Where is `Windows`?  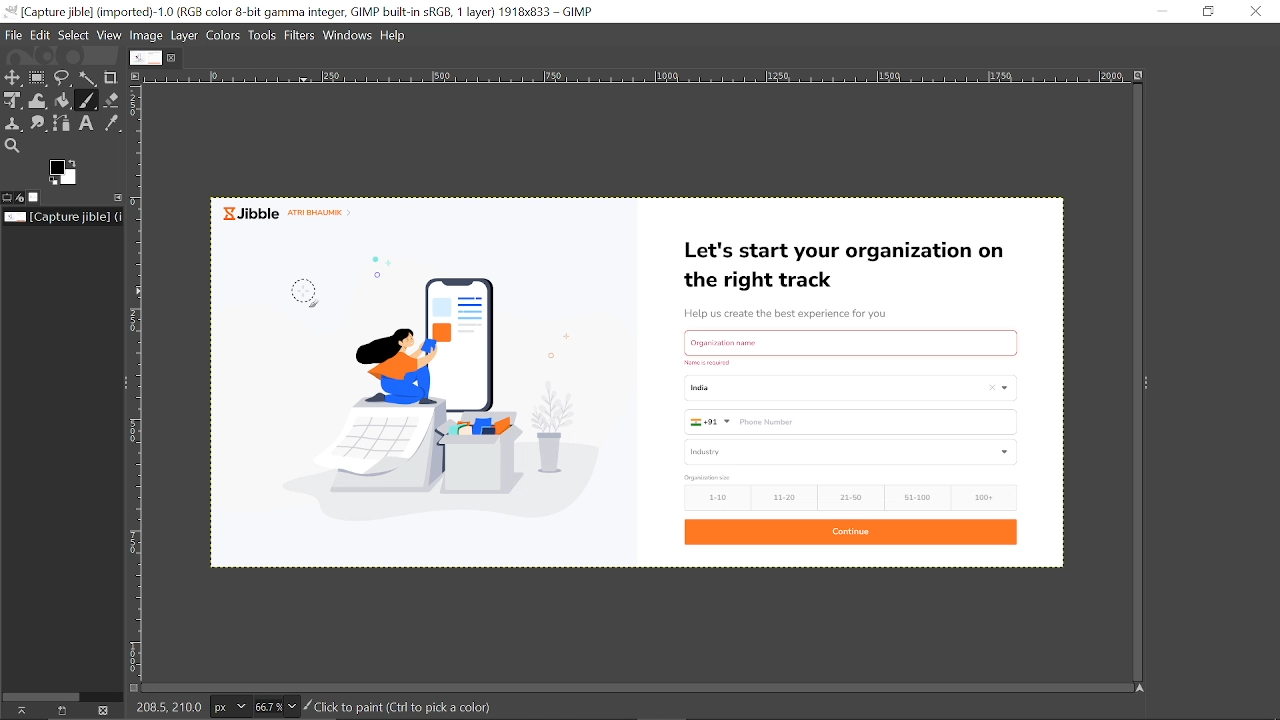 Windows is located at coordinates (349, 36).